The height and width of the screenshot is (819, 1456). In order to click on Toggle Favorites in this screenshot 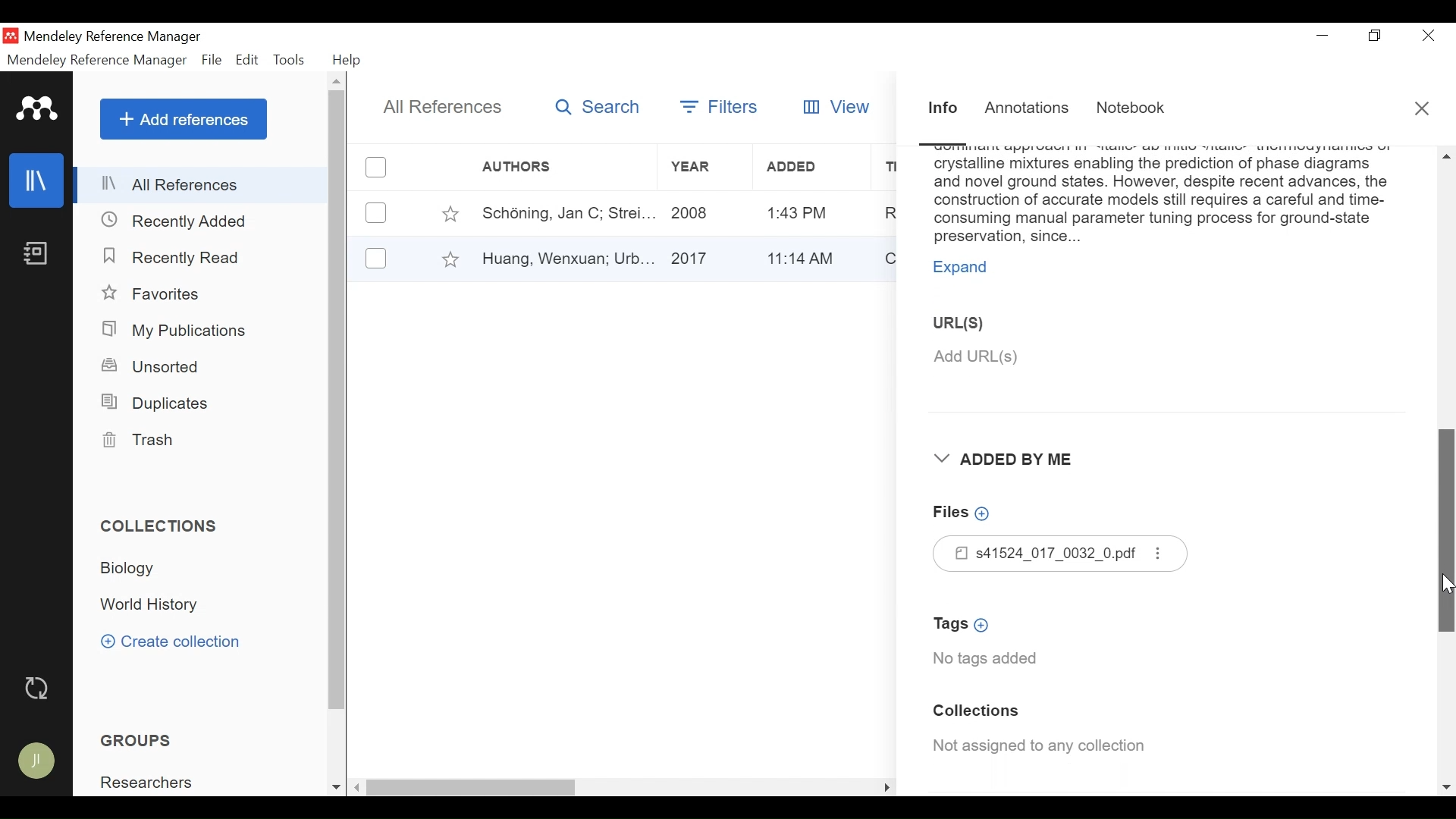, I will do `click(450, 259)`.